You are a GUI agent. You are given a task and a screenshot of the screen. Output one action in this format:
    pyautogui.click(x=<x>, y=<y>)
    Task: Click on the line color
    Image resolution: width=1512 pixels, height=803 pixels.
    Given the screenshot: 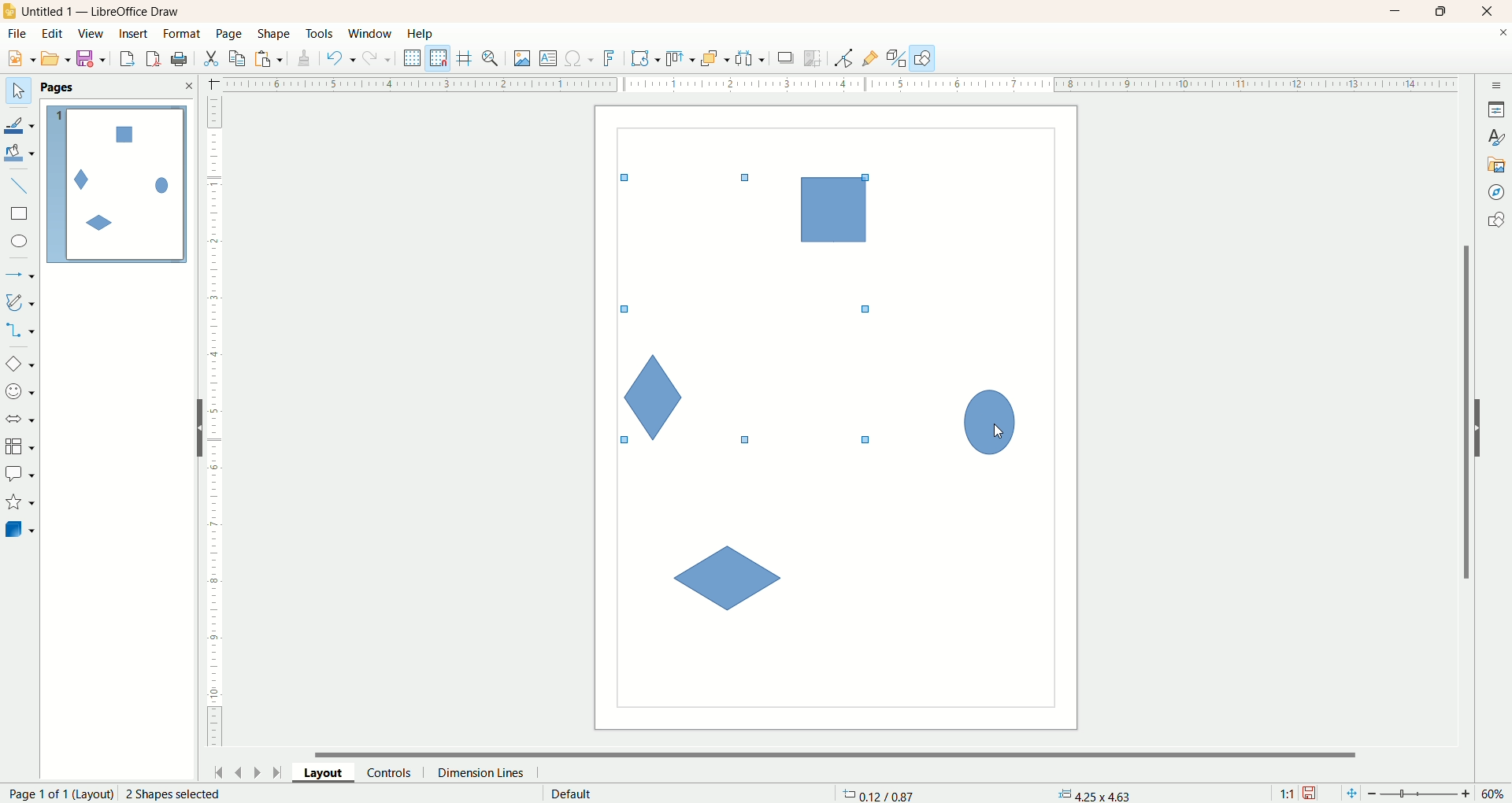 What is the action you would take?
    pyautogui.click(x=20, y=124)
    